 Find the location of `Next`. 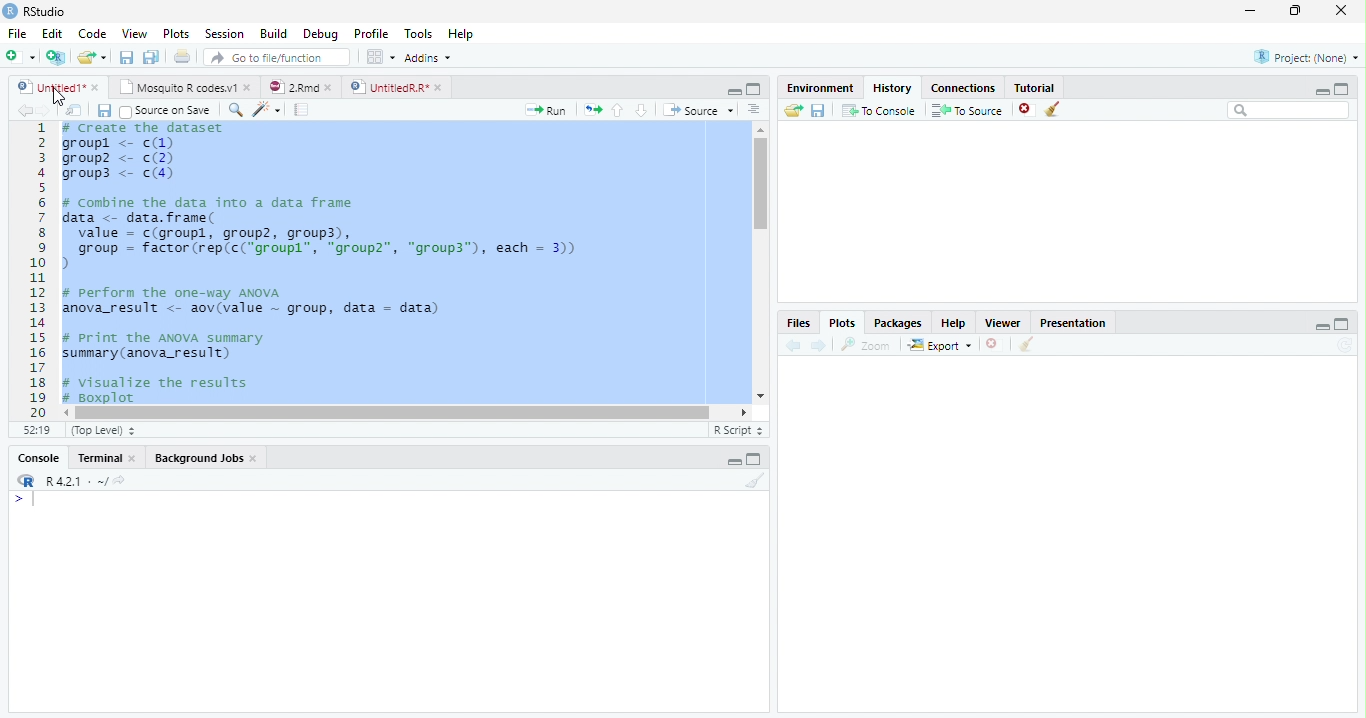

Next is located at coordinates (50, 111).